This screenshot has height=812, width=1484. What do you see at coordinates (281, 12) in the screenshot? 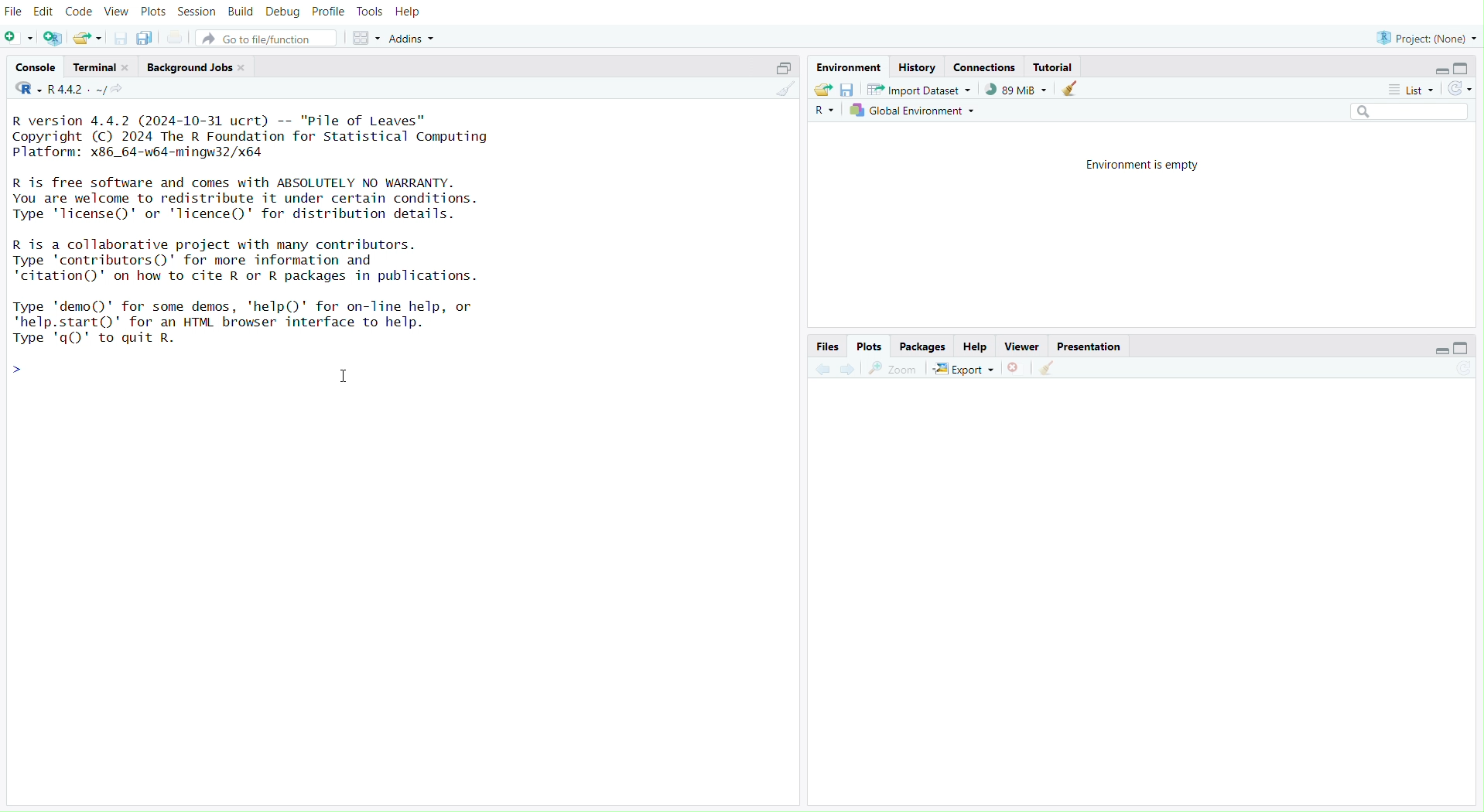
I see `Debug` at bounding box center [281, 12].